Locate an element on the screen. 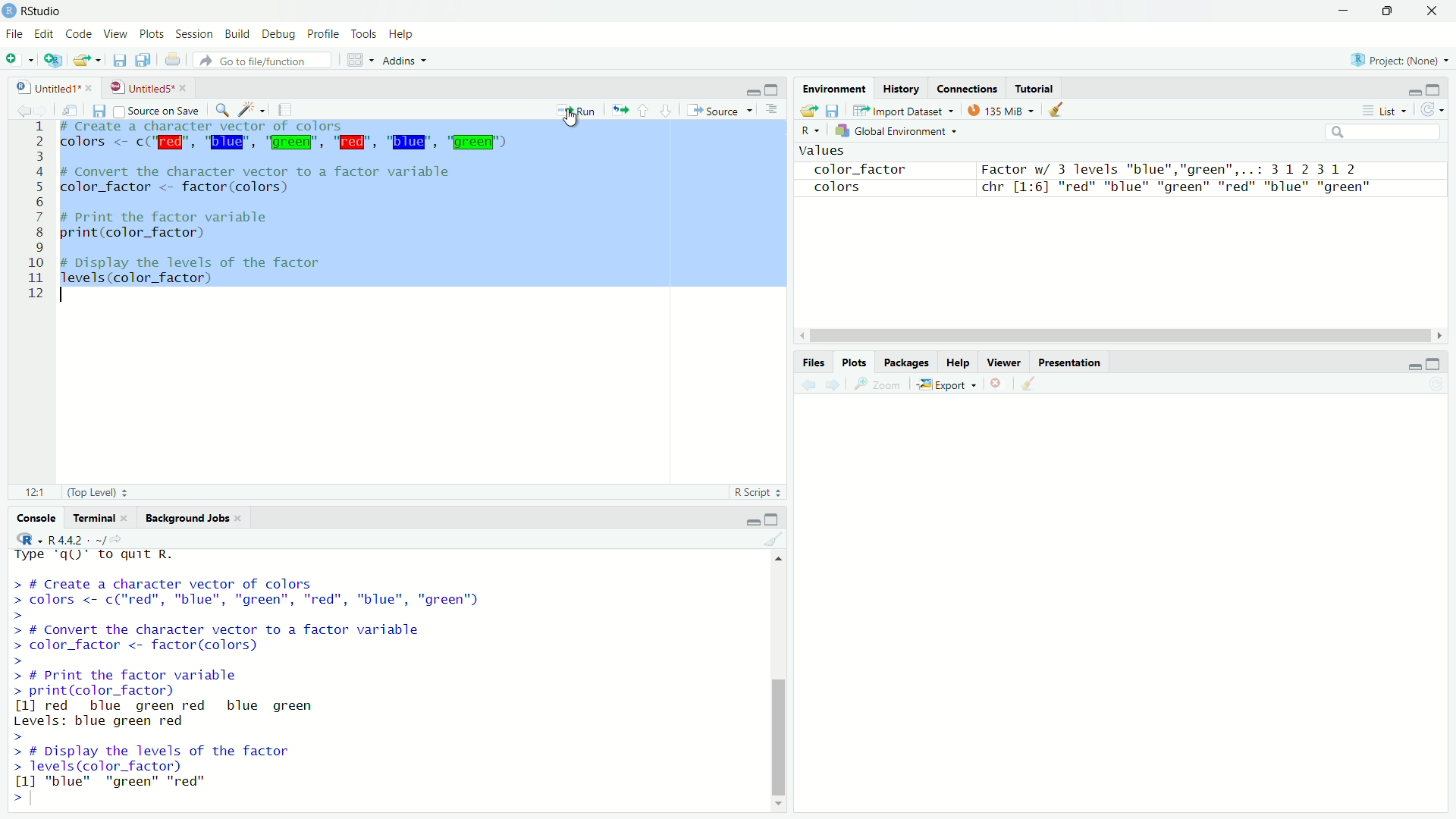 This screenshot has height=819, width=1456. Tutorial is located at coordinates (1034, 89).